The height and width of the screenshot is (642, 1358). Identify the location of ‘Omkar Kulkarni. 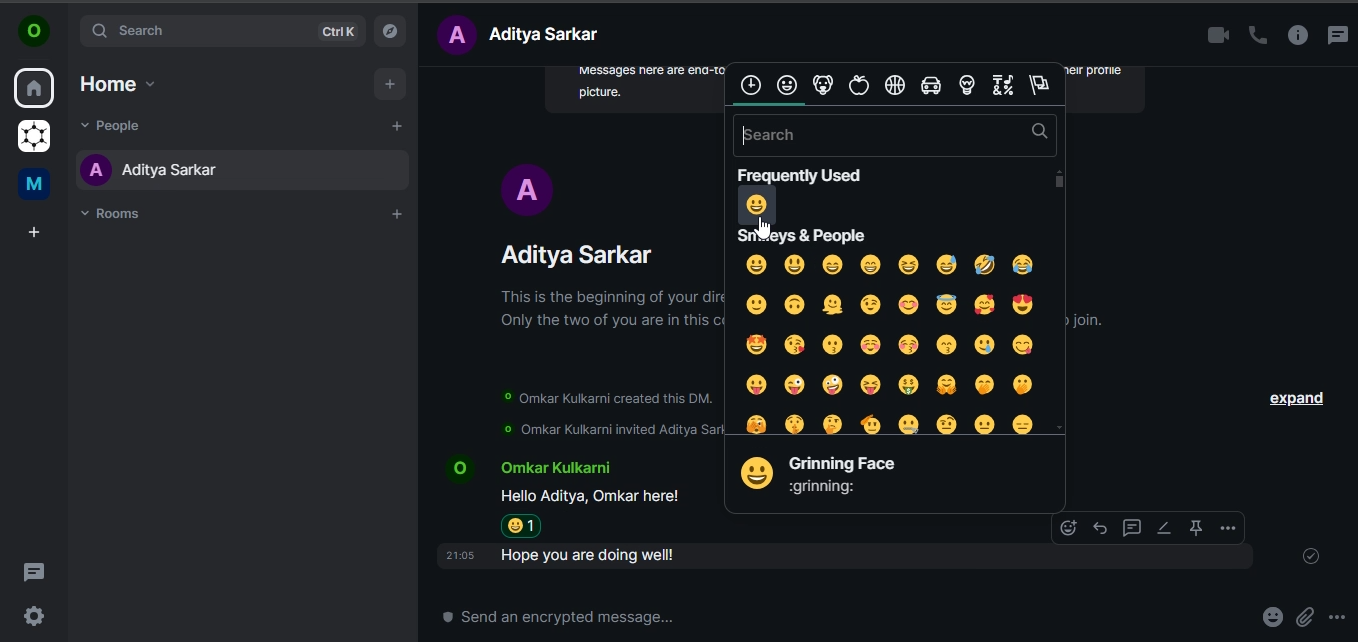
(553, 470).